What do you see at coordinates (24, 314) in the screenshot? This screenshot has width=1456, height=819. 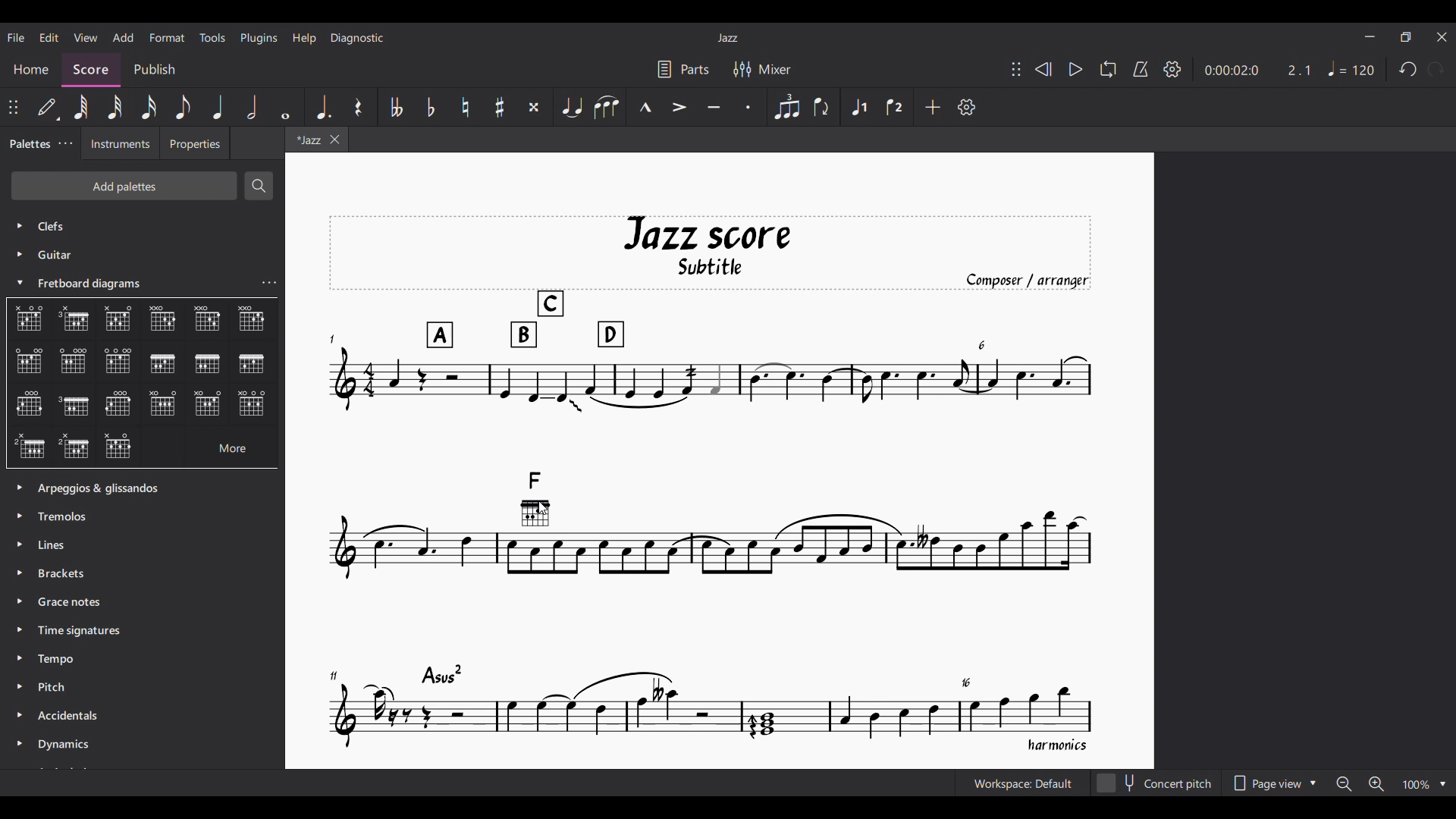 I see `Options under current palette selection` at bounding box center [24, 314].